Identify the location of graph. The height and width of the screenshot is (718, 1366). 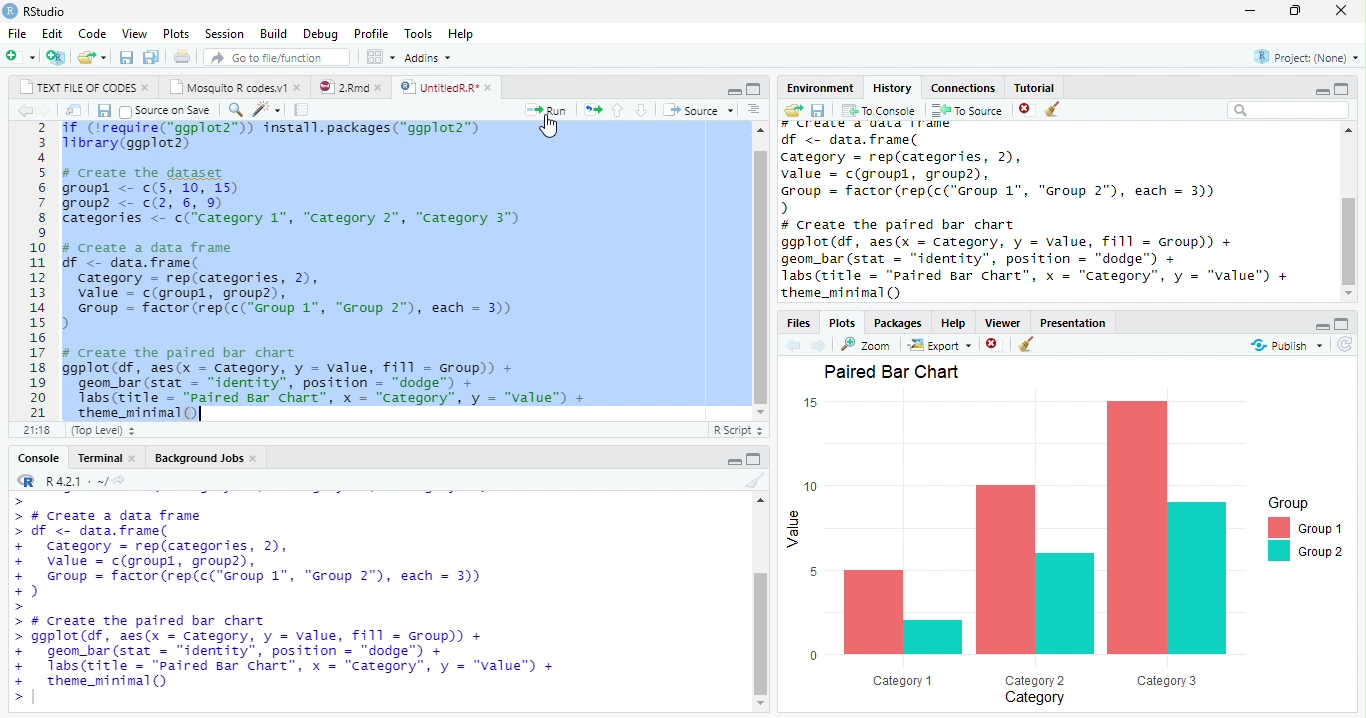
(1067, 533).